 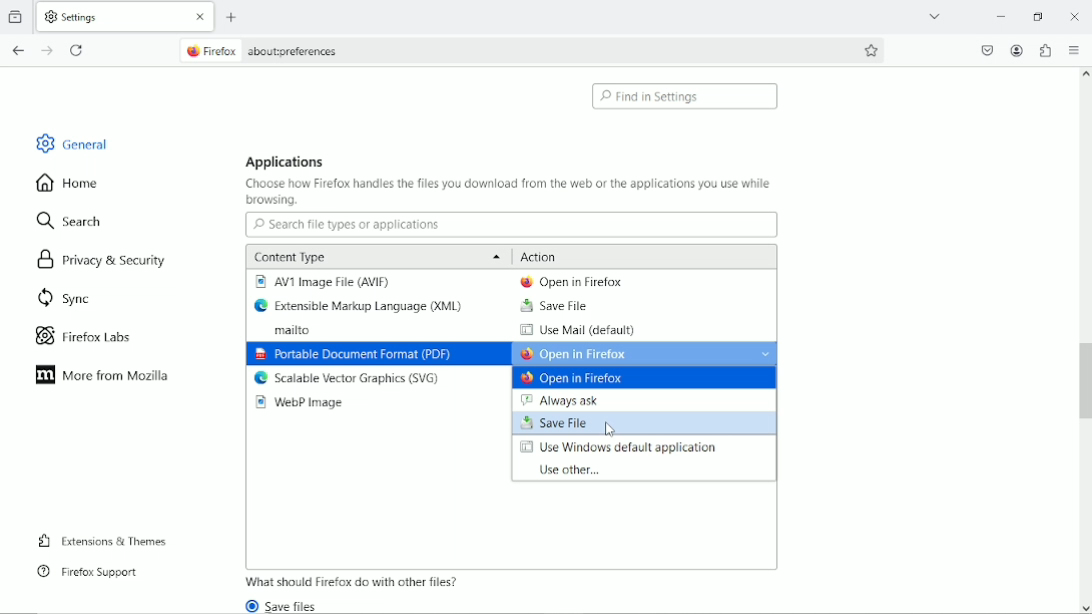 What do you see at coordinates (1003, 17) in the screenshot?
I see `Minimize` at bounding box center [1003, 17].